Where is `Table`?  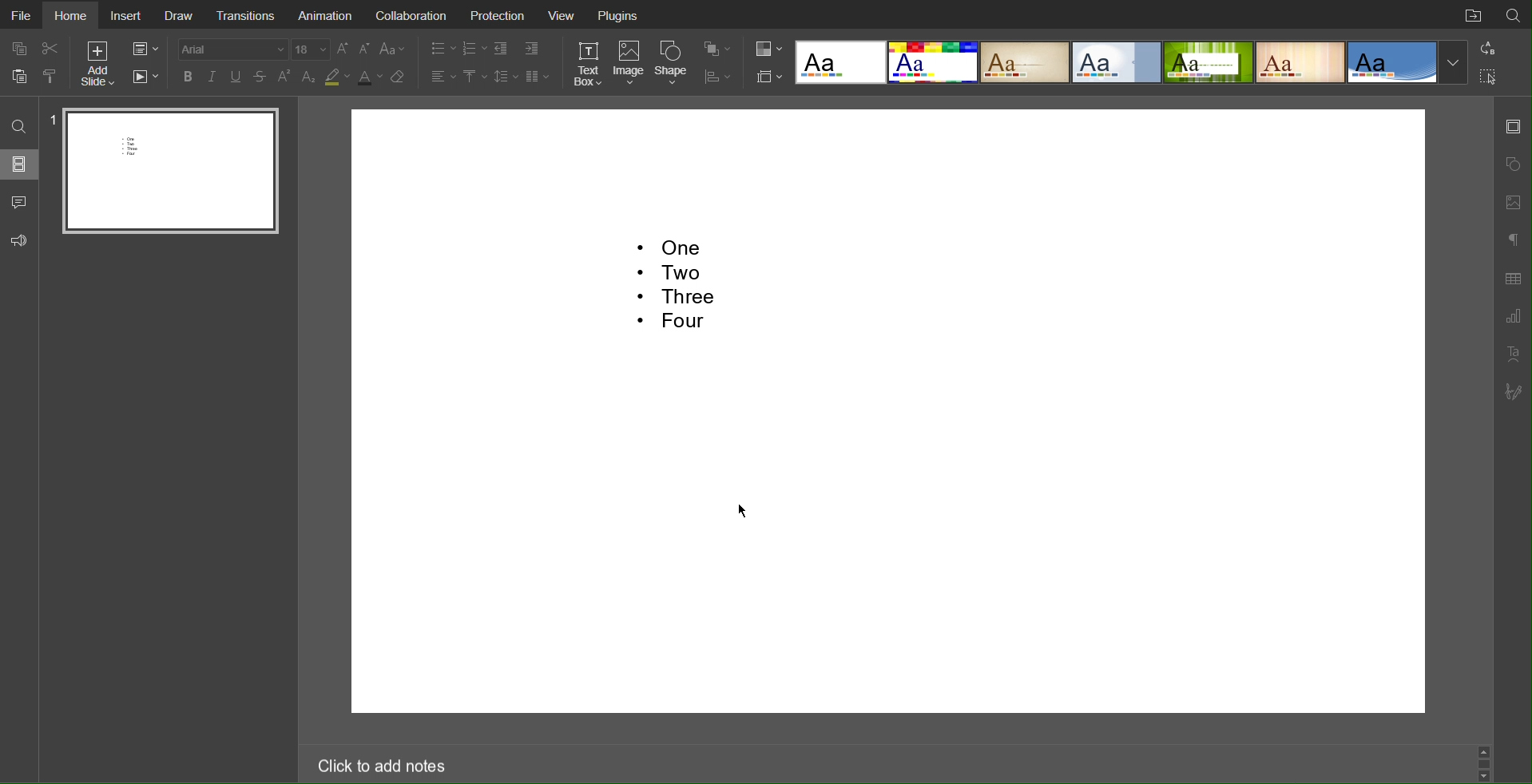
Table is located at coordinates (1514, 278).